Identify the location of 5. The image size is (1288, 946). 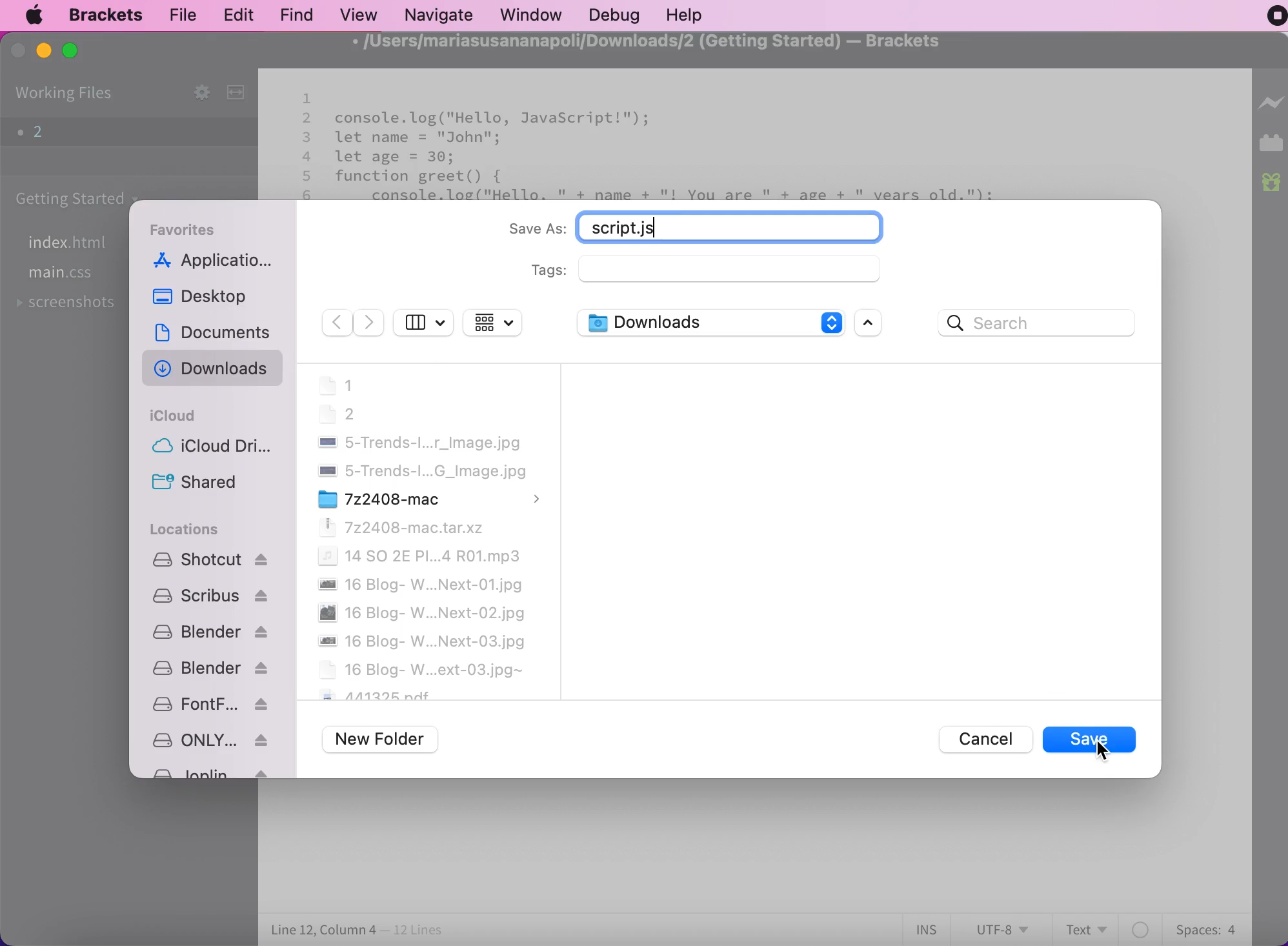
(308, 176).